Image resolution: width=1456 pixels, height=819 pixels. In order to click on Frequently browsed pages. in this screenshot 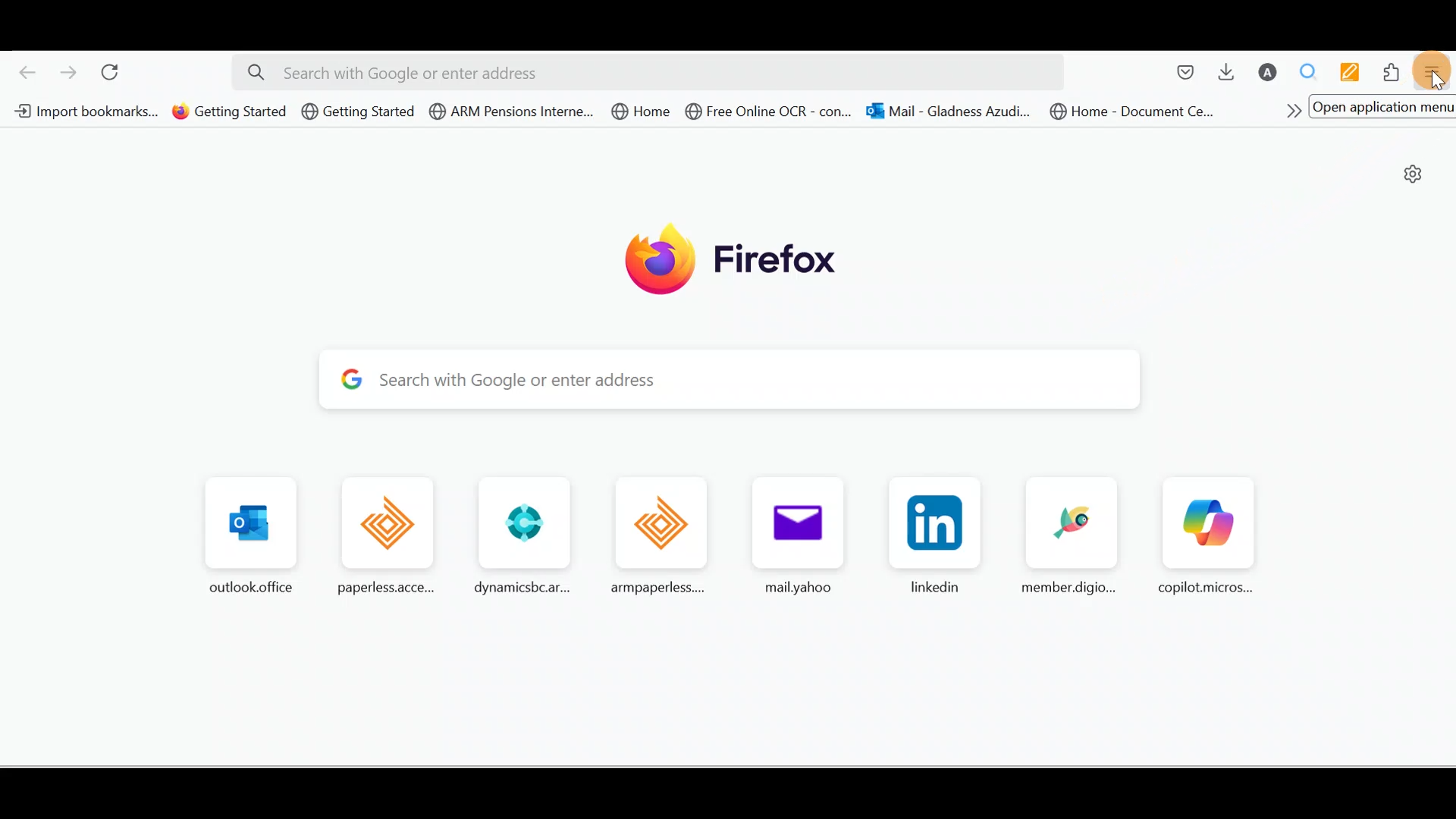, I will do `click(743, 538)`.